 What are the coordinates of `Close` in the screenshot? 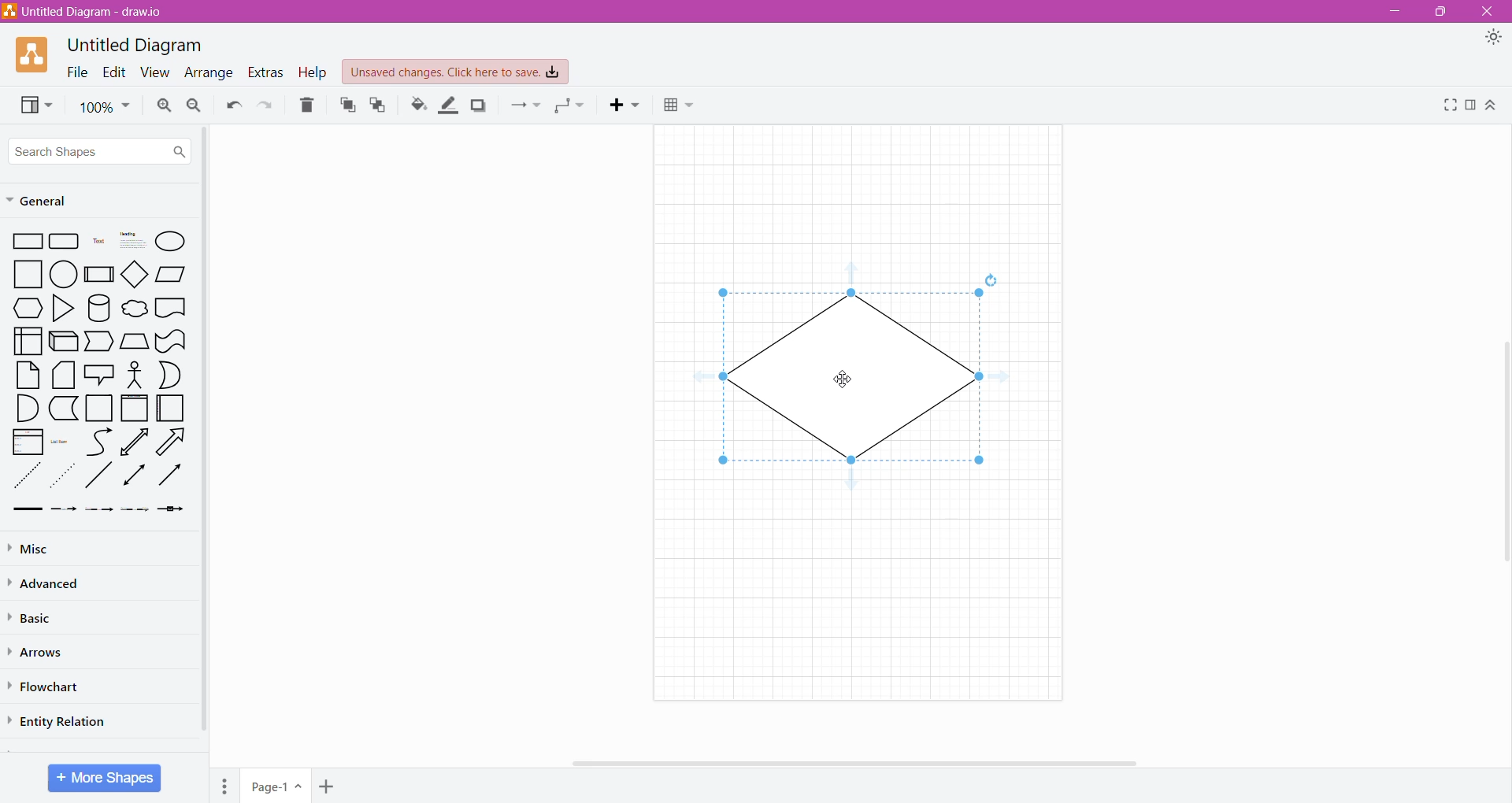 It's located at (1490, 10).